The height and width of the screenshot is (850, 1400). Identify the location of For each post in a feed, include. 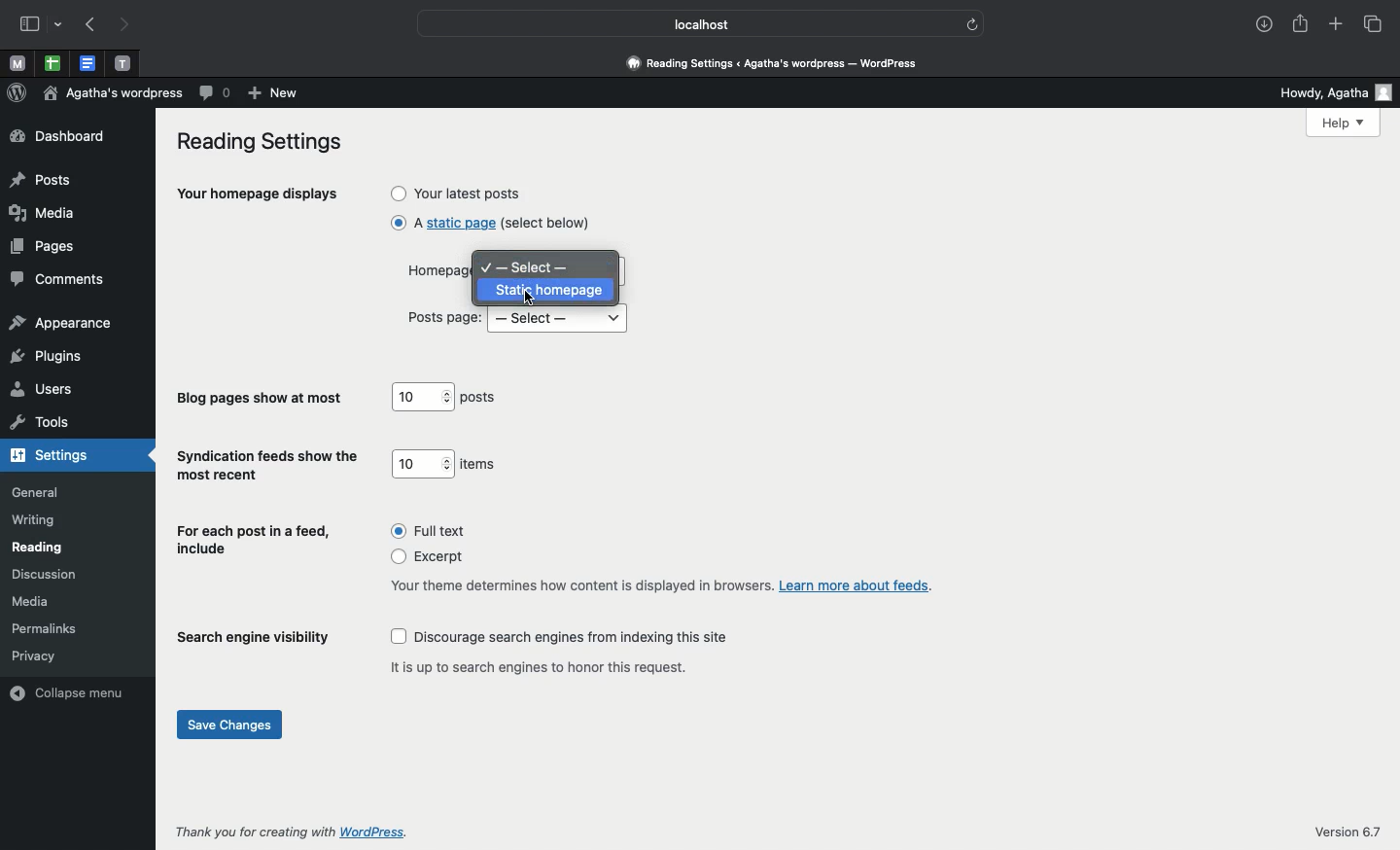
(256, 542).